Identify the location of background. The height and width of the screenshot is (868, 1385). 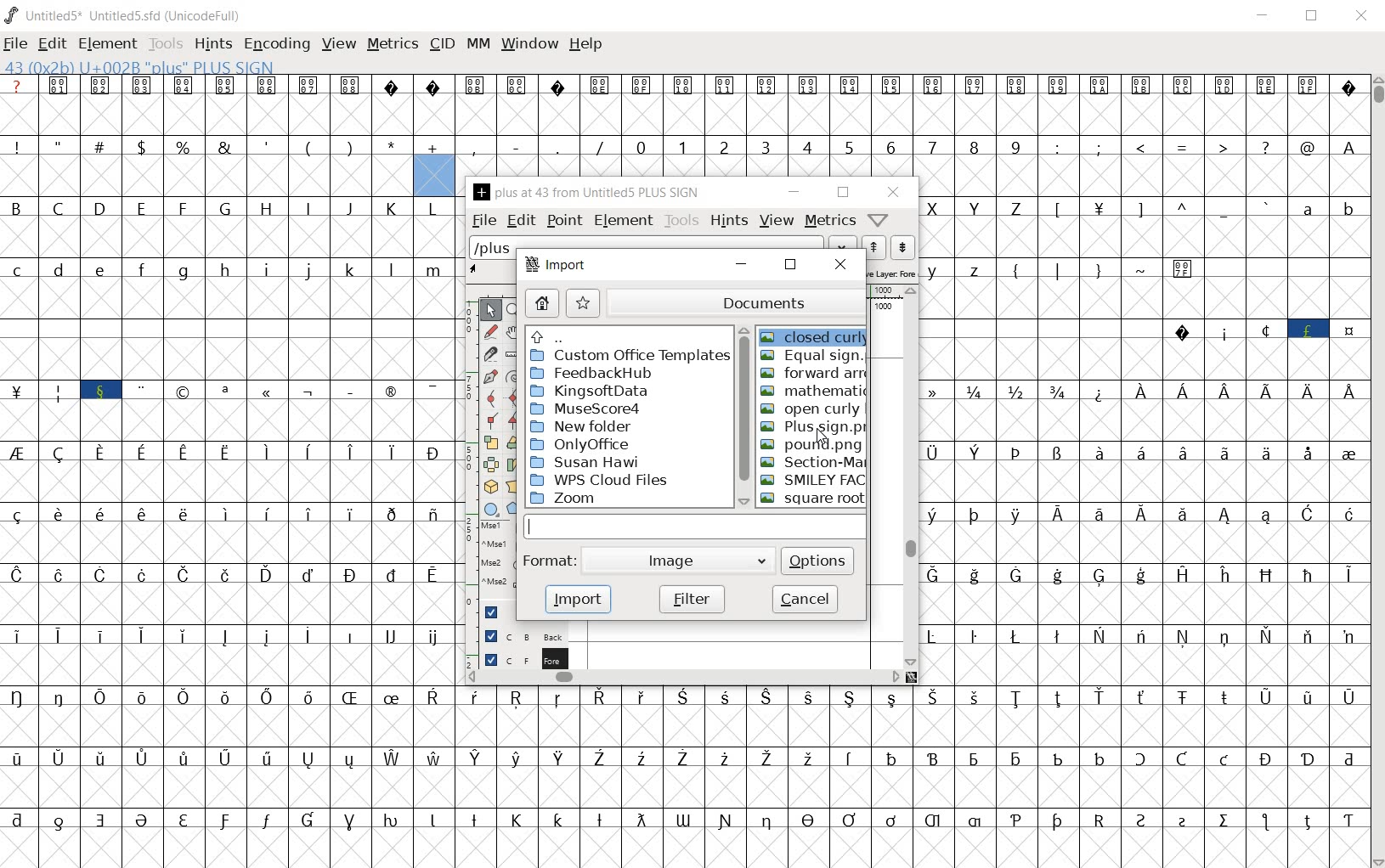
(517, 635).